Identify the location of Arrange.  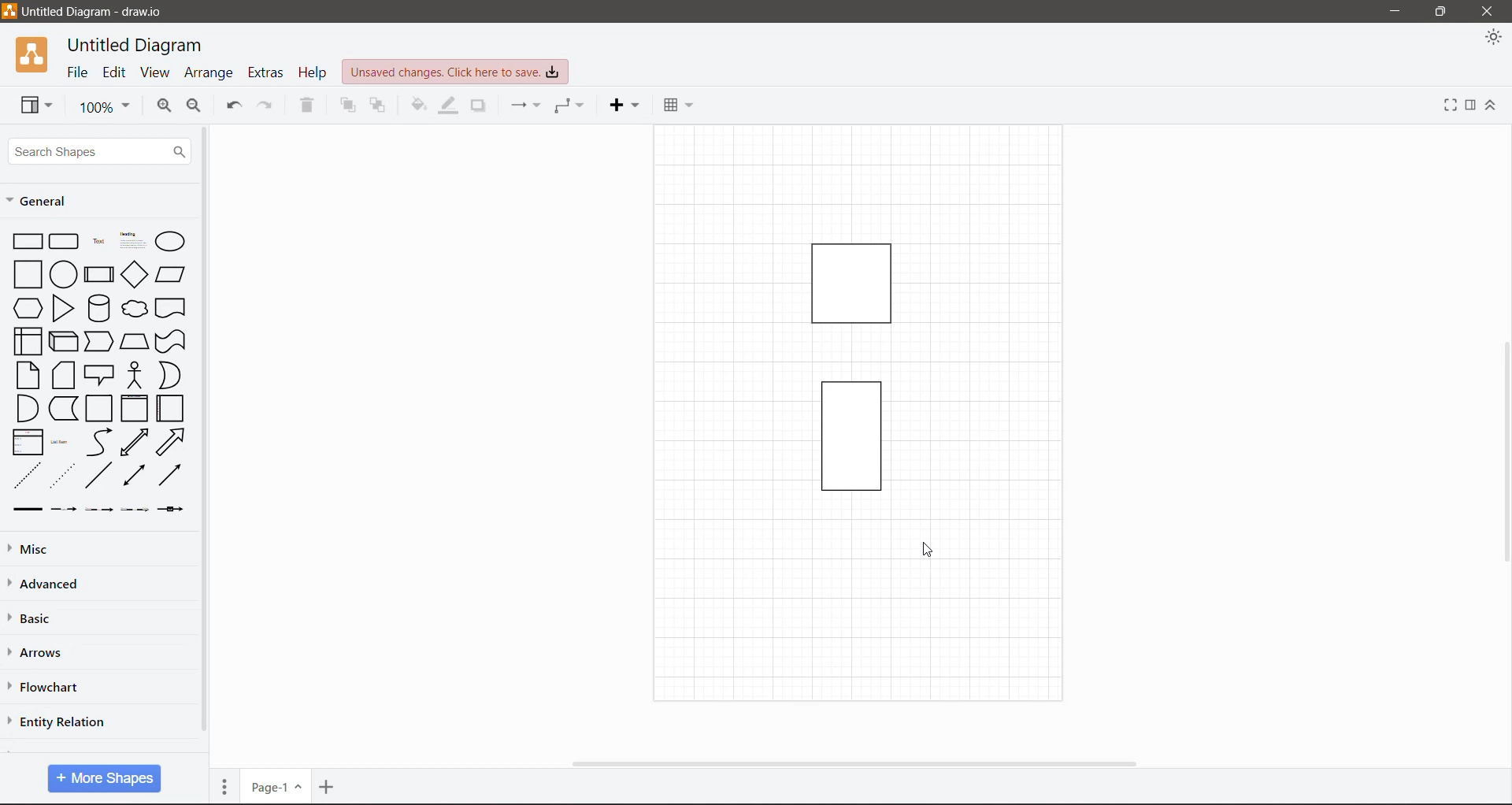
(210, 72).